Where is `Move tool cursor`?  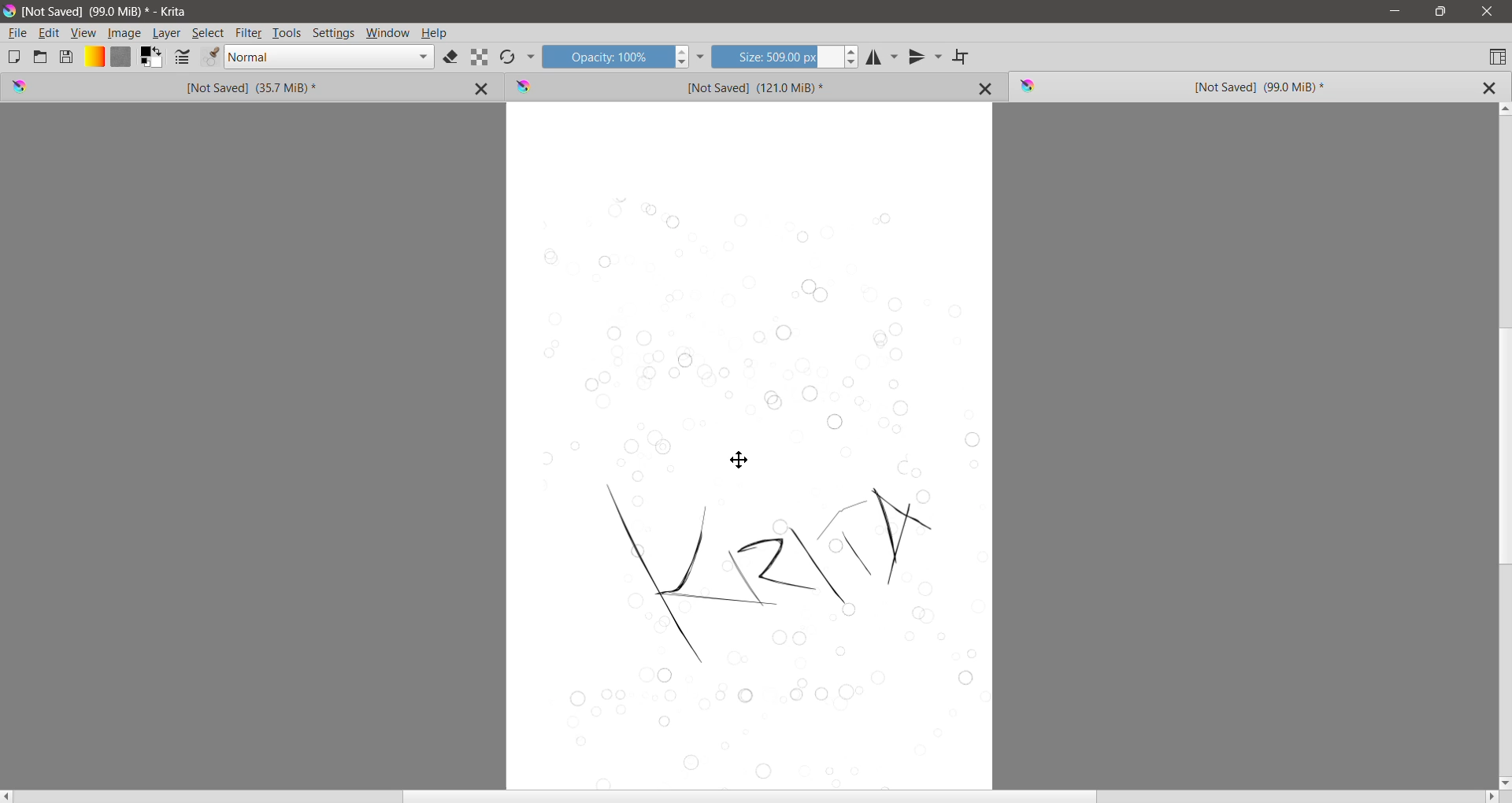
Move tool cursor is located at coordinates (739, 460).